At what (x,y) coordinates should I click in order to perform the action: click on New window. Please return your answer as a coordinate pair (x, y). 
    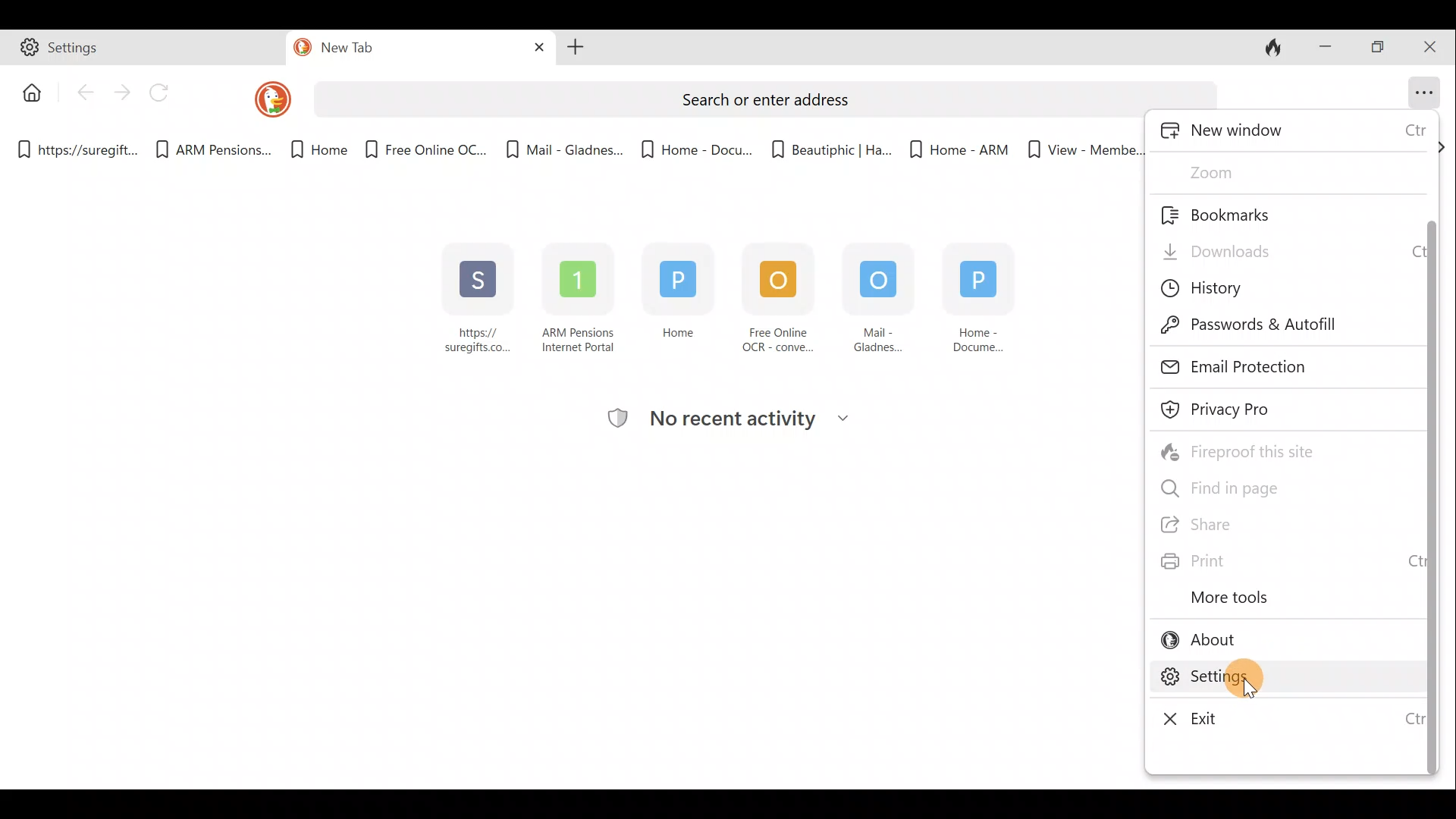
    Looking at the image, I should click on (1290, 131).